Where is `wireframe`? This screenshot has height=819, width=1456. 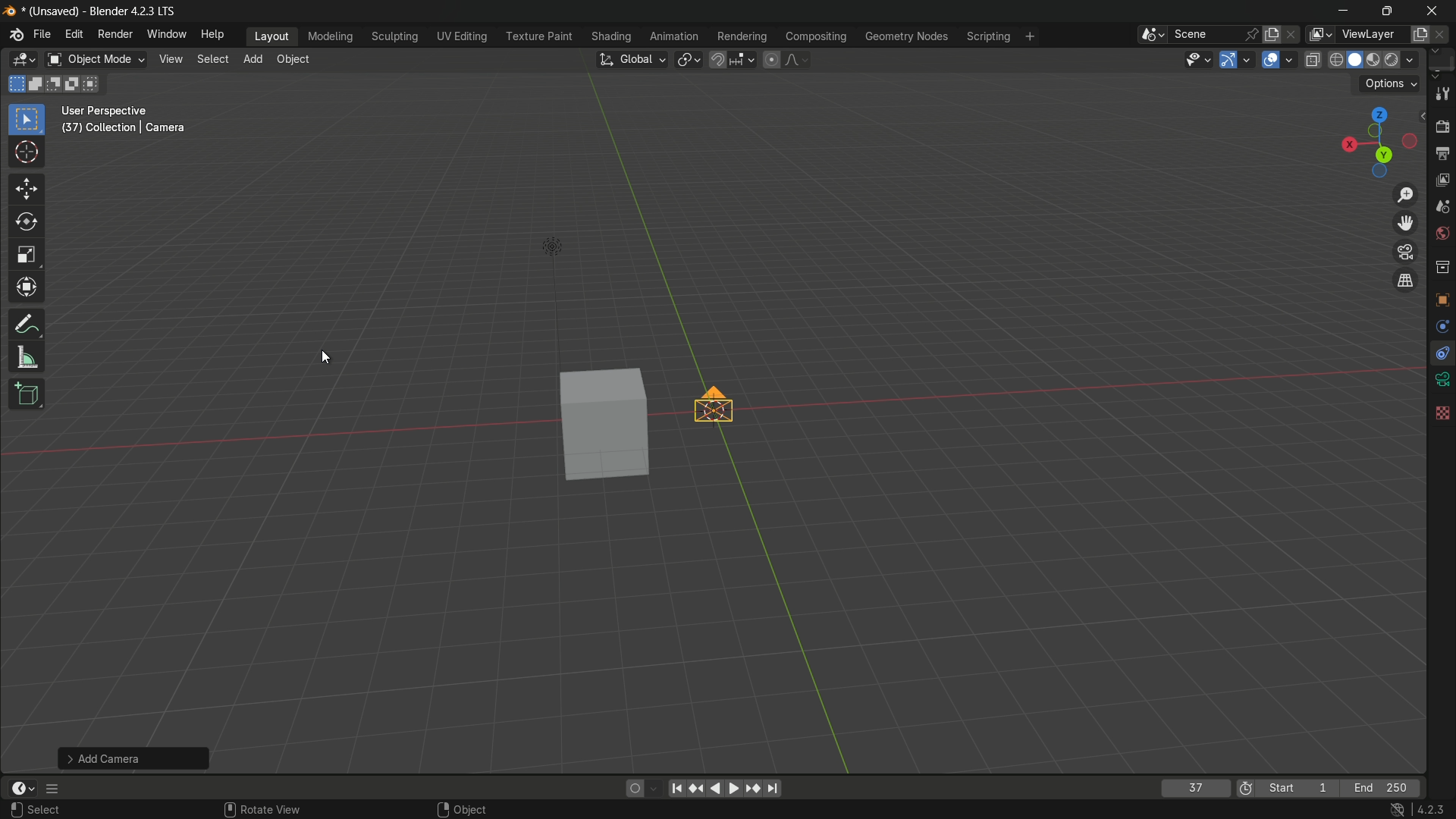
wireframe is located at coordinates (1336, 59).